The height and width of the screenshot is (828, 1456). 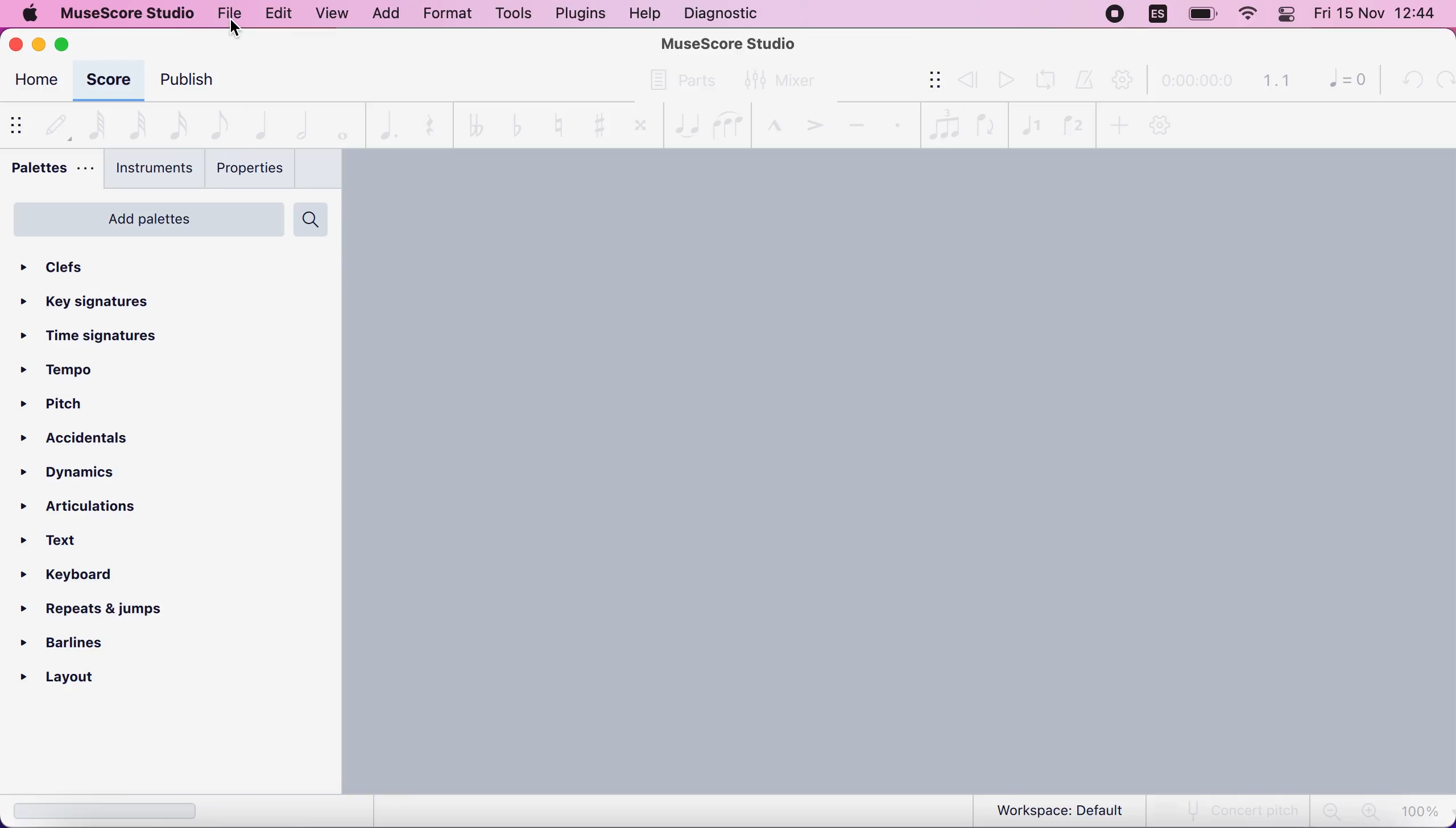 What do you see at coordinates (97, 123) in the screenshot?
I see `64th note` at bounding box center [97, 123].